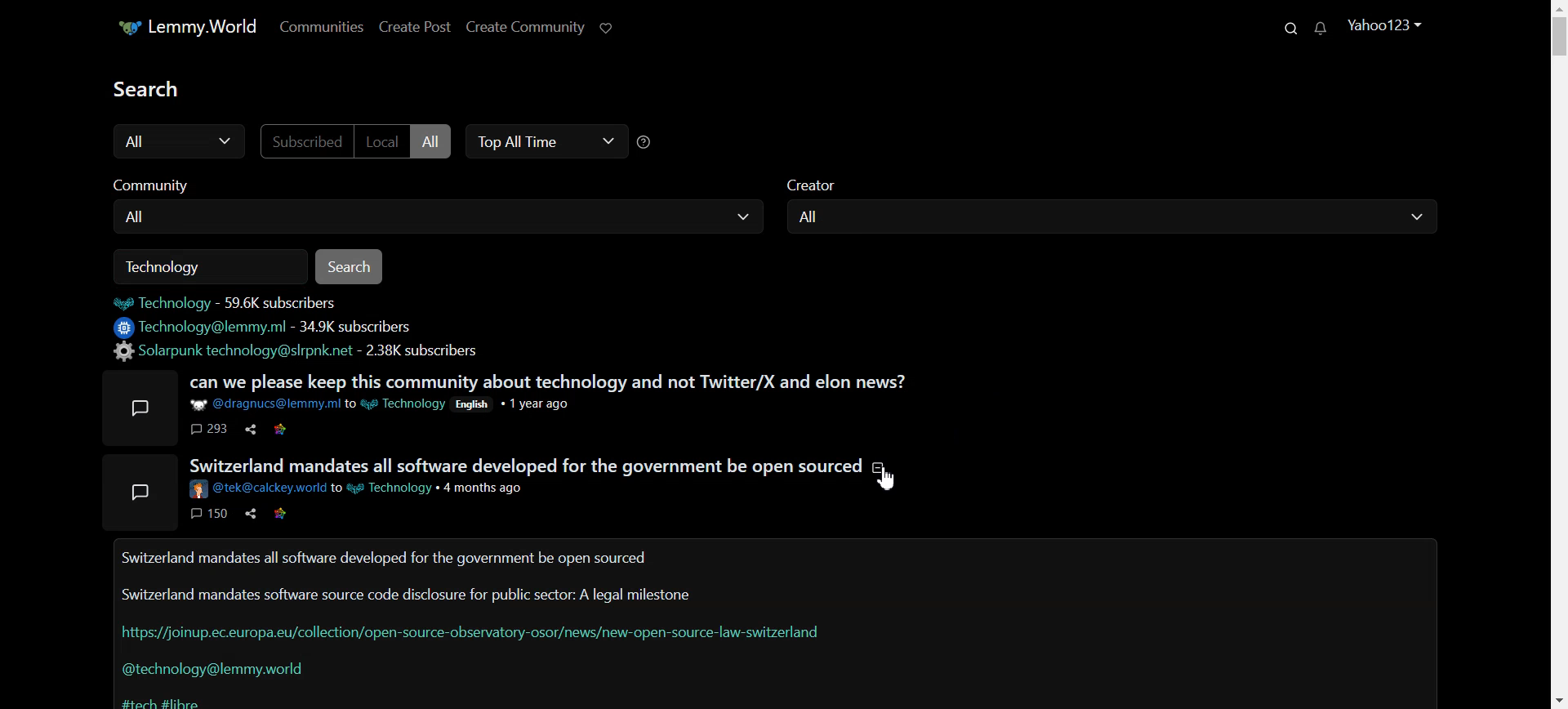  Describe the element at coordinates (252, 514) in the screenshot. I see `share` at that location.